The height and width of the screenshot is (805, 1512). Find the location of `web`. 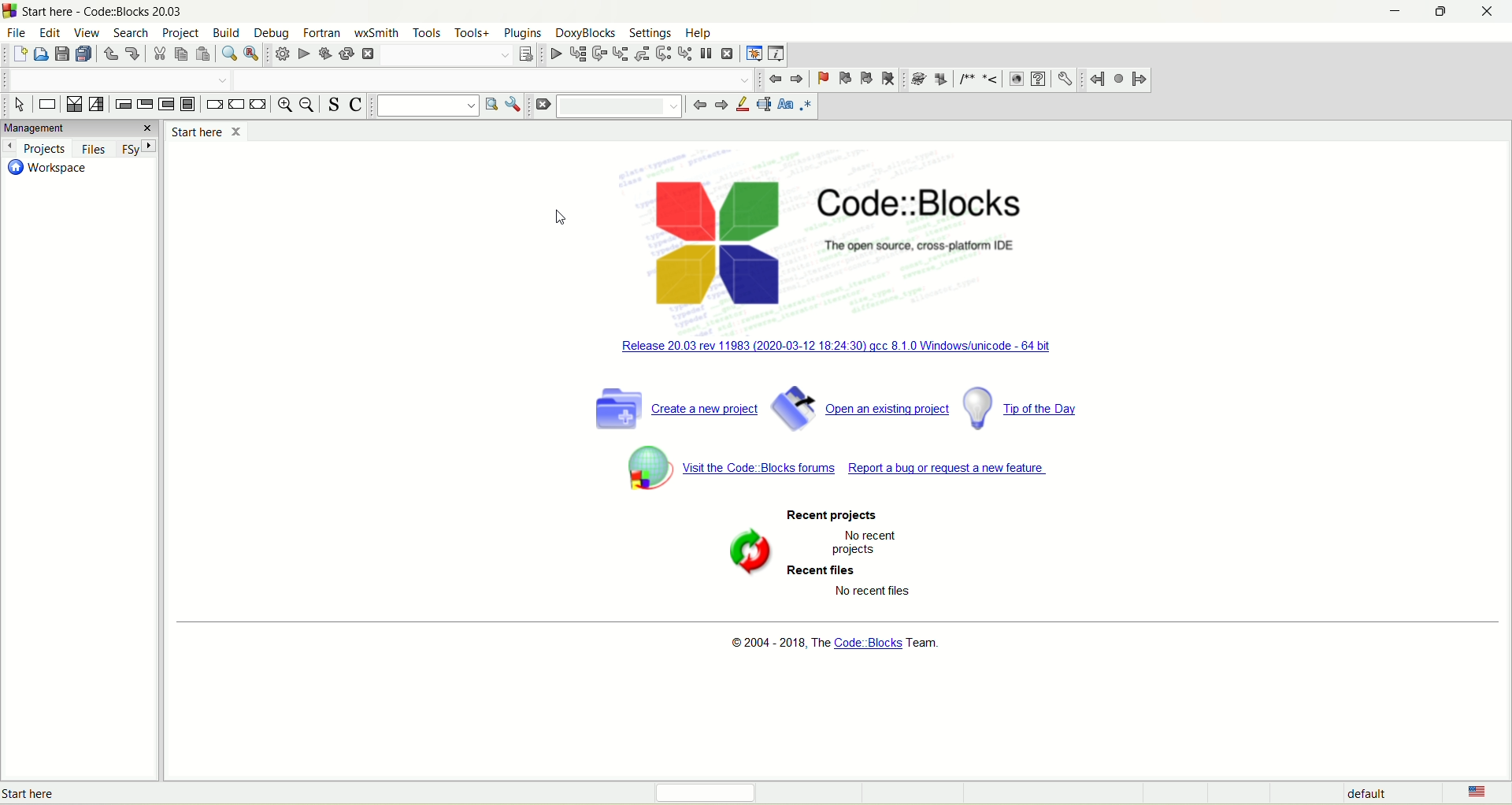

web is located at coordinates (1017, 79).